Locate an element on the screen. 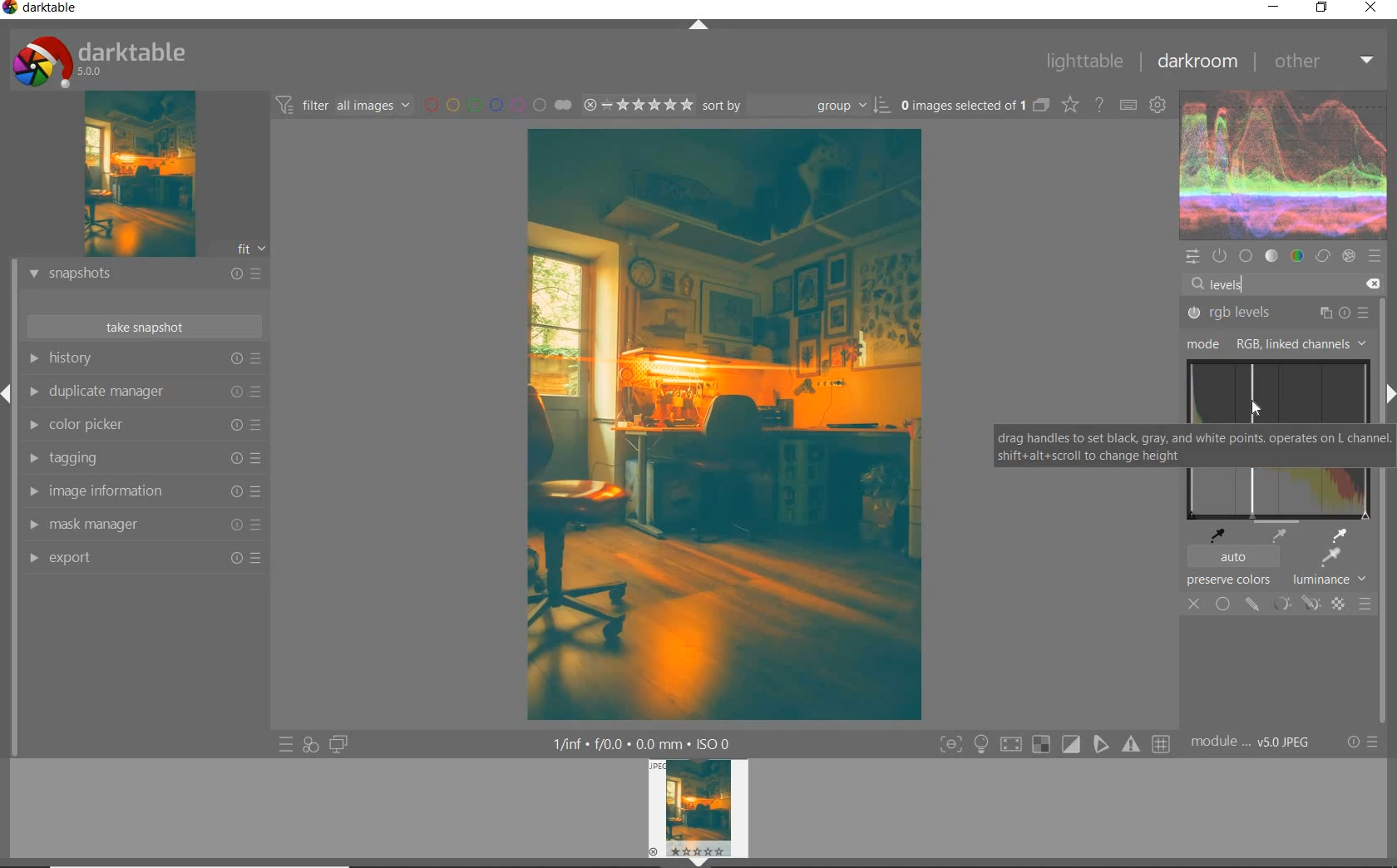  system name is located at coordinates (43, 9).